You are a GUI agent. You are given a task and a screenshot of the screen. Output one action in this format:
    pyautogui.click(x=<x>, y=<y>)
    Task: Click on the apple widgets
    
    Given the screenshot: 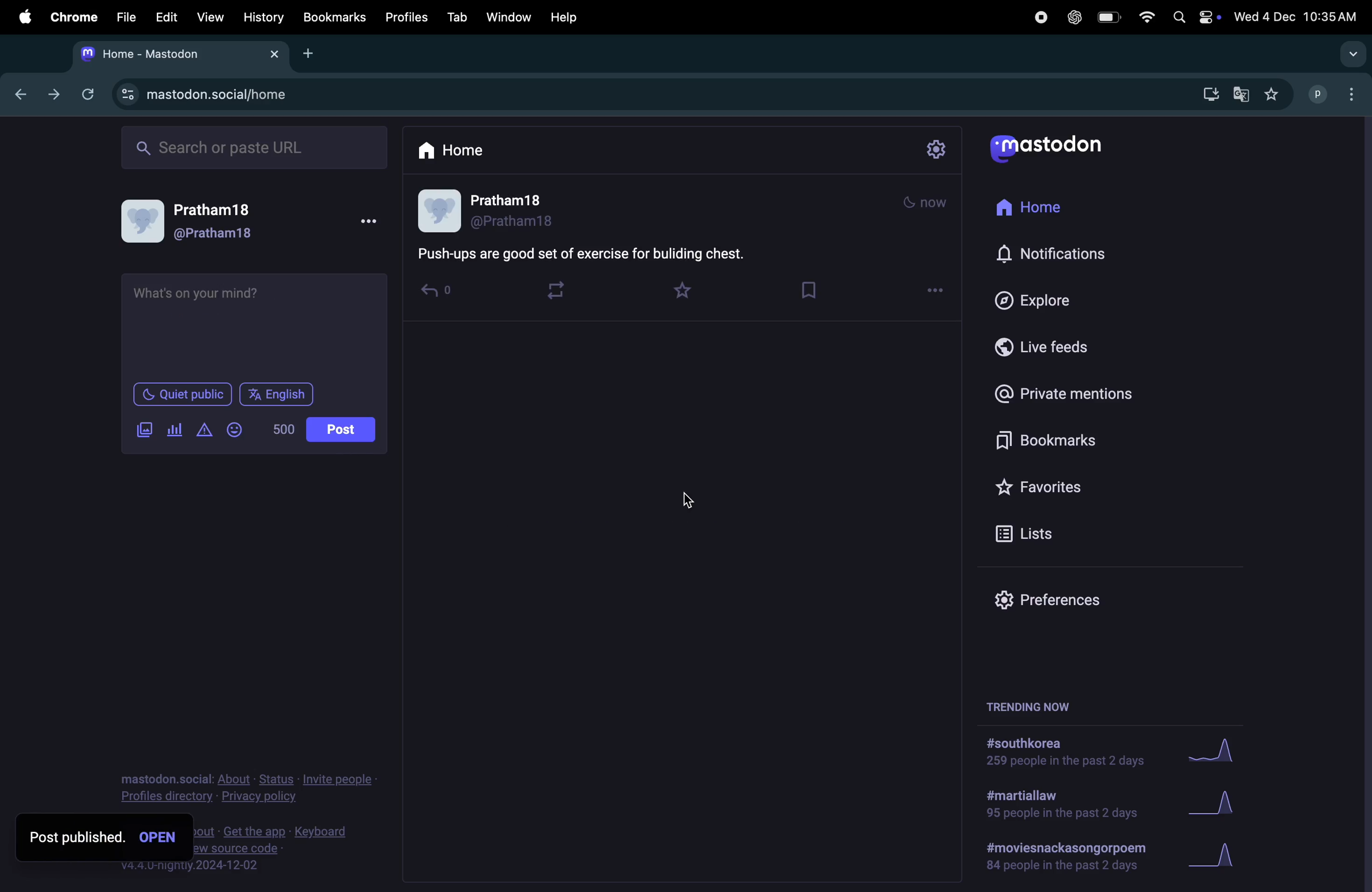 What is the action you would take?
    pyautogui.click(x=1194, y=18)
    